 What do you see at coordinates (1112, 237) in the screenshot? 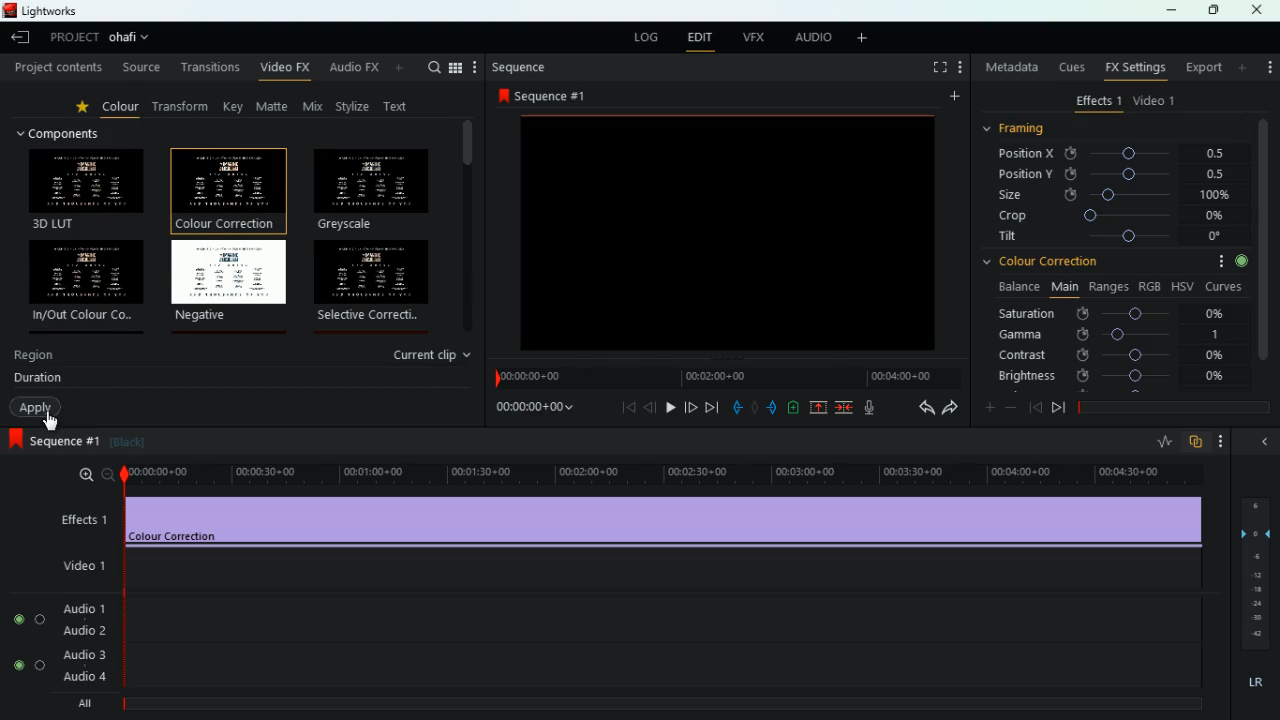
I see `tilt` at bounding box center [1112, 237].